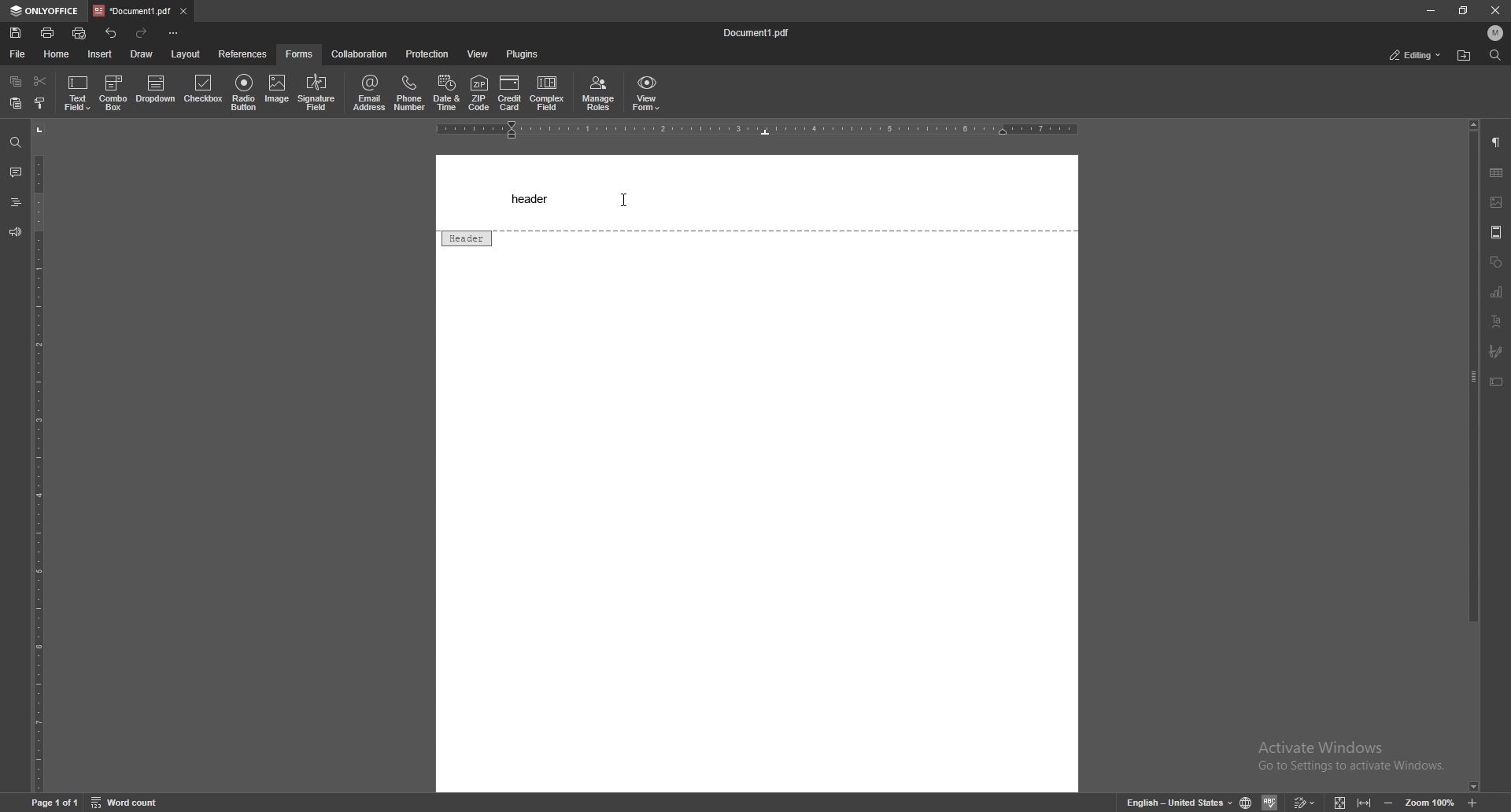  What do you see at coordinates (1494, 10) in the screenshot?
I see `close` at bounding box center [1494, 10].